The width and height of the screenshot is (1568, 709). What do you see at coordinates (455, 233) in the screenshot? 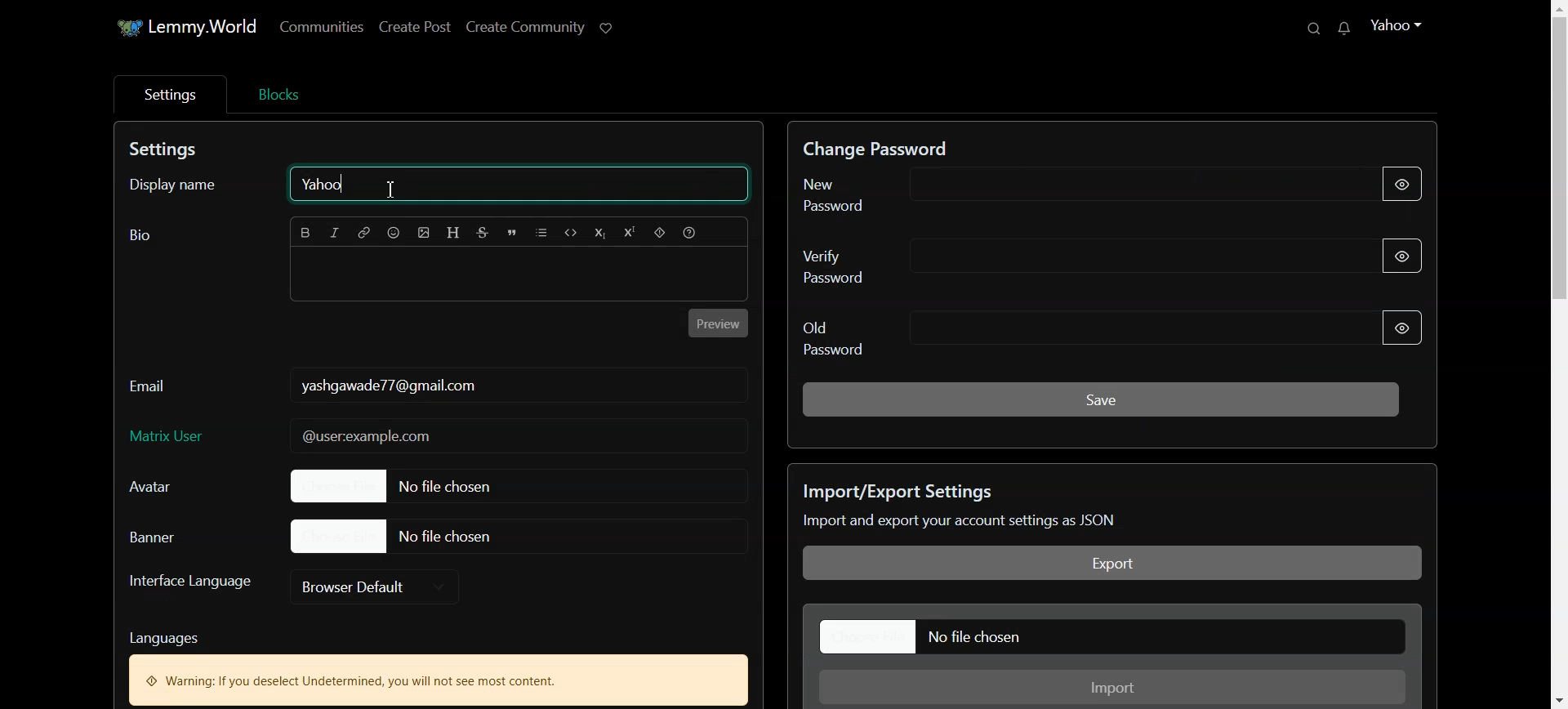
I see `Header` at bounding box center [455, 233].